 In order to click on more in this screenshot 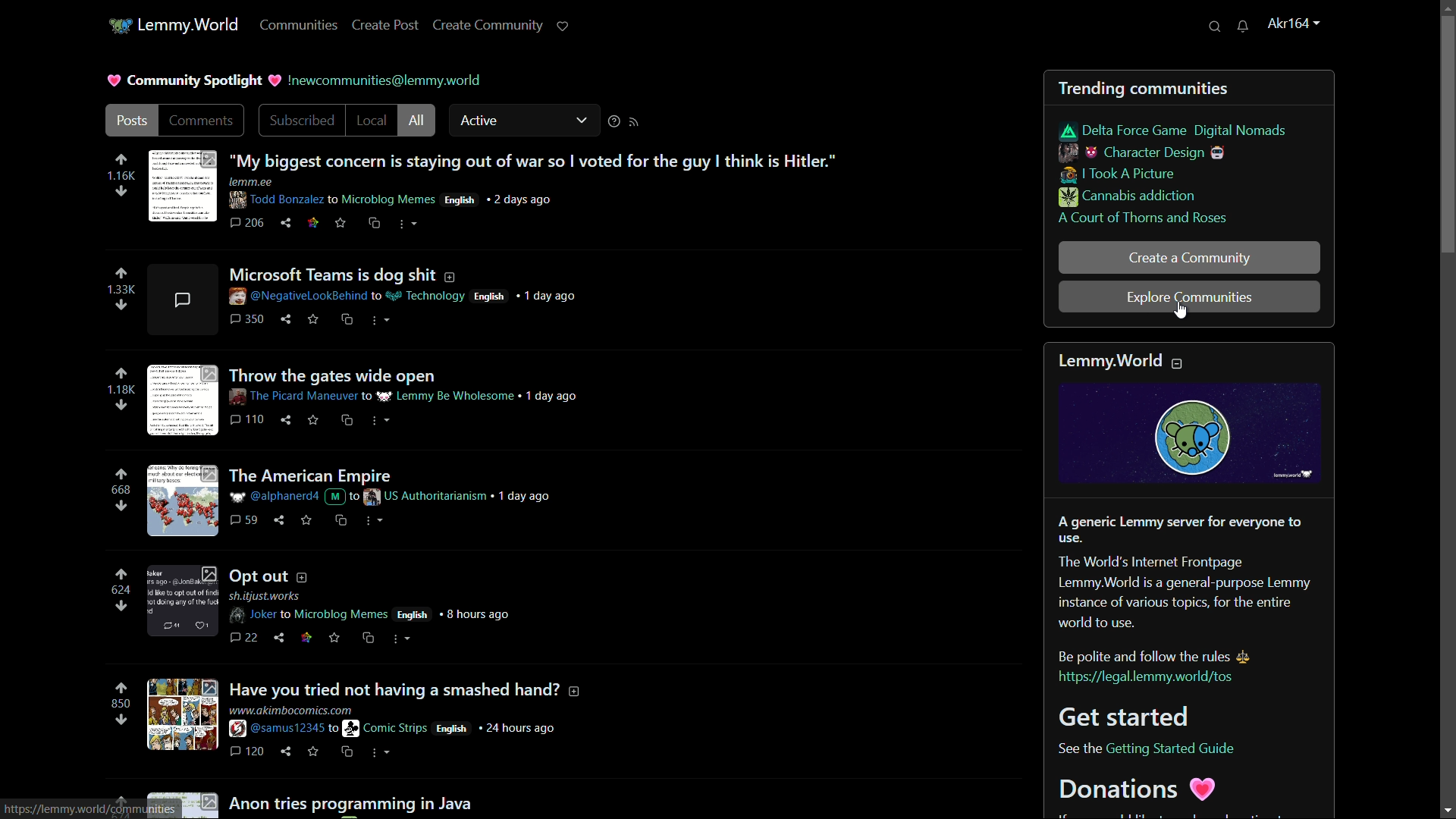, I will do `click(376, 522)`.